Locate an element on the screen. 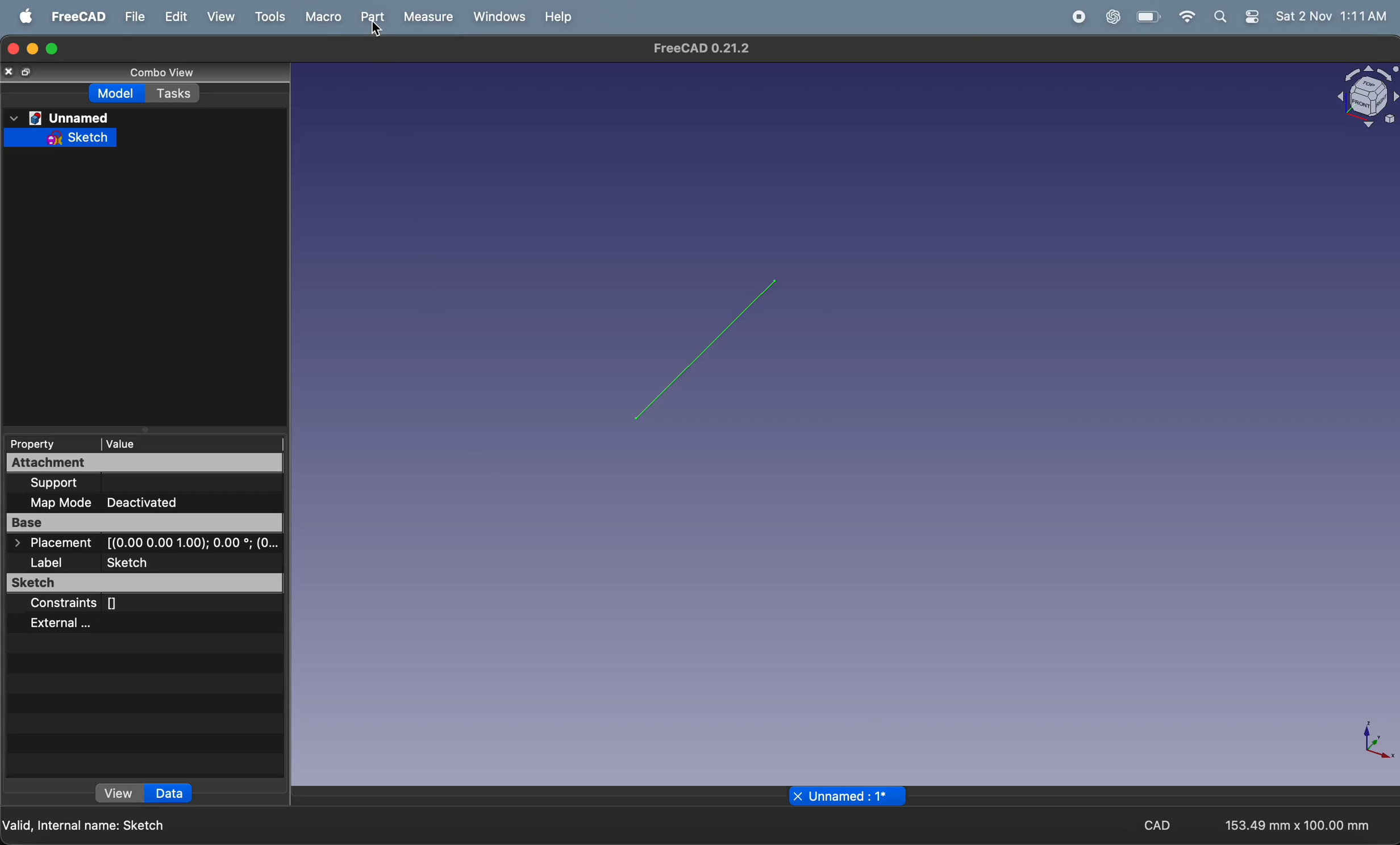 The height and width of the screenshot is (845, 1400). 153.49 mm x 100.00 mm is located at coordinates (1298, 826).